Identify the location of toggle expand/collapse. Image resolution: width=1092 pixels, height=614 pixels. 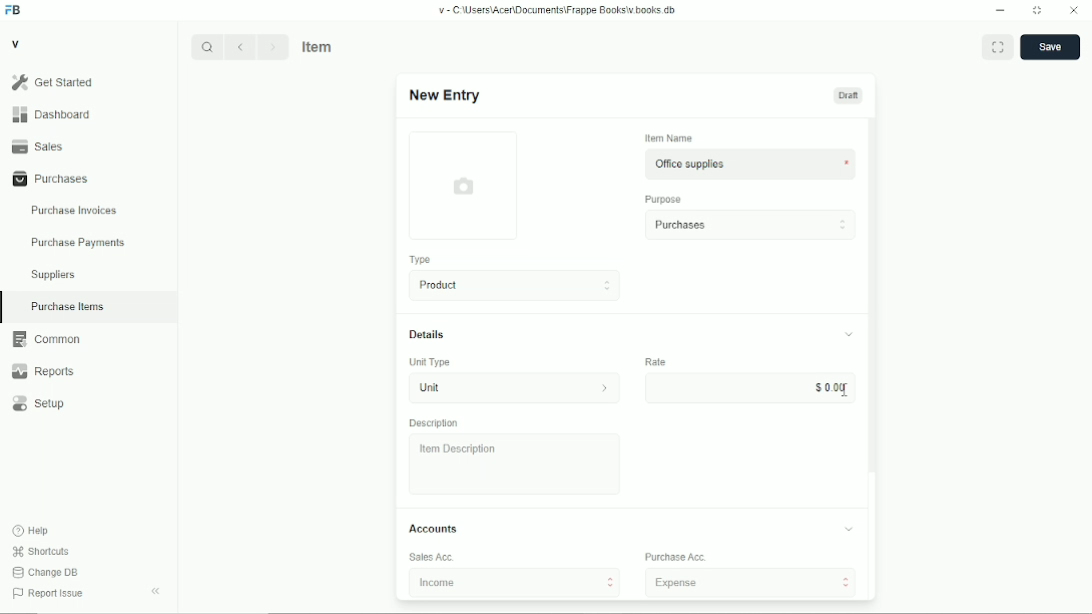
(849, 529).